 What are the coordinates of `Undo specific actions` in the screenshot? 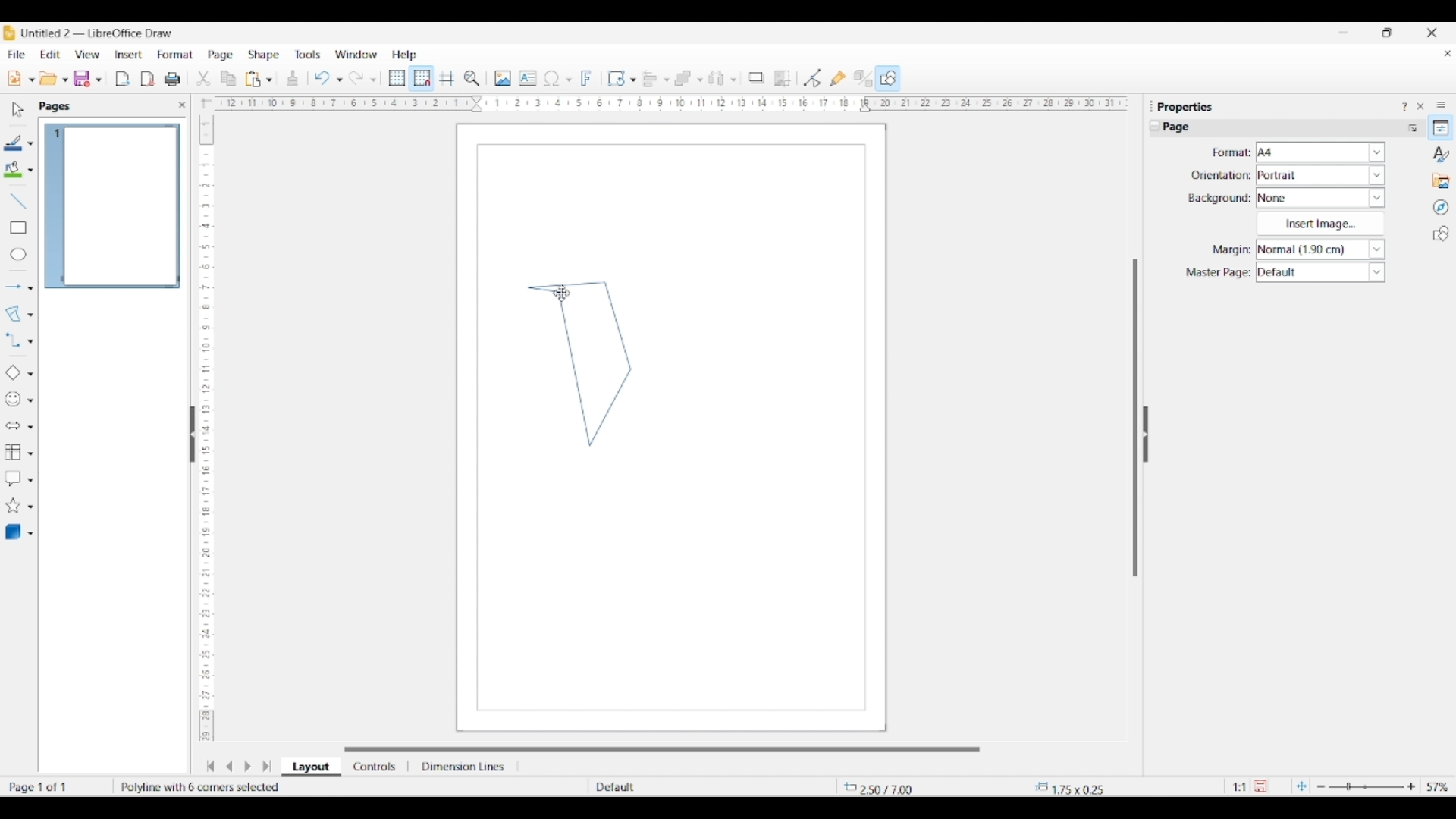 It's located at (339, 80).